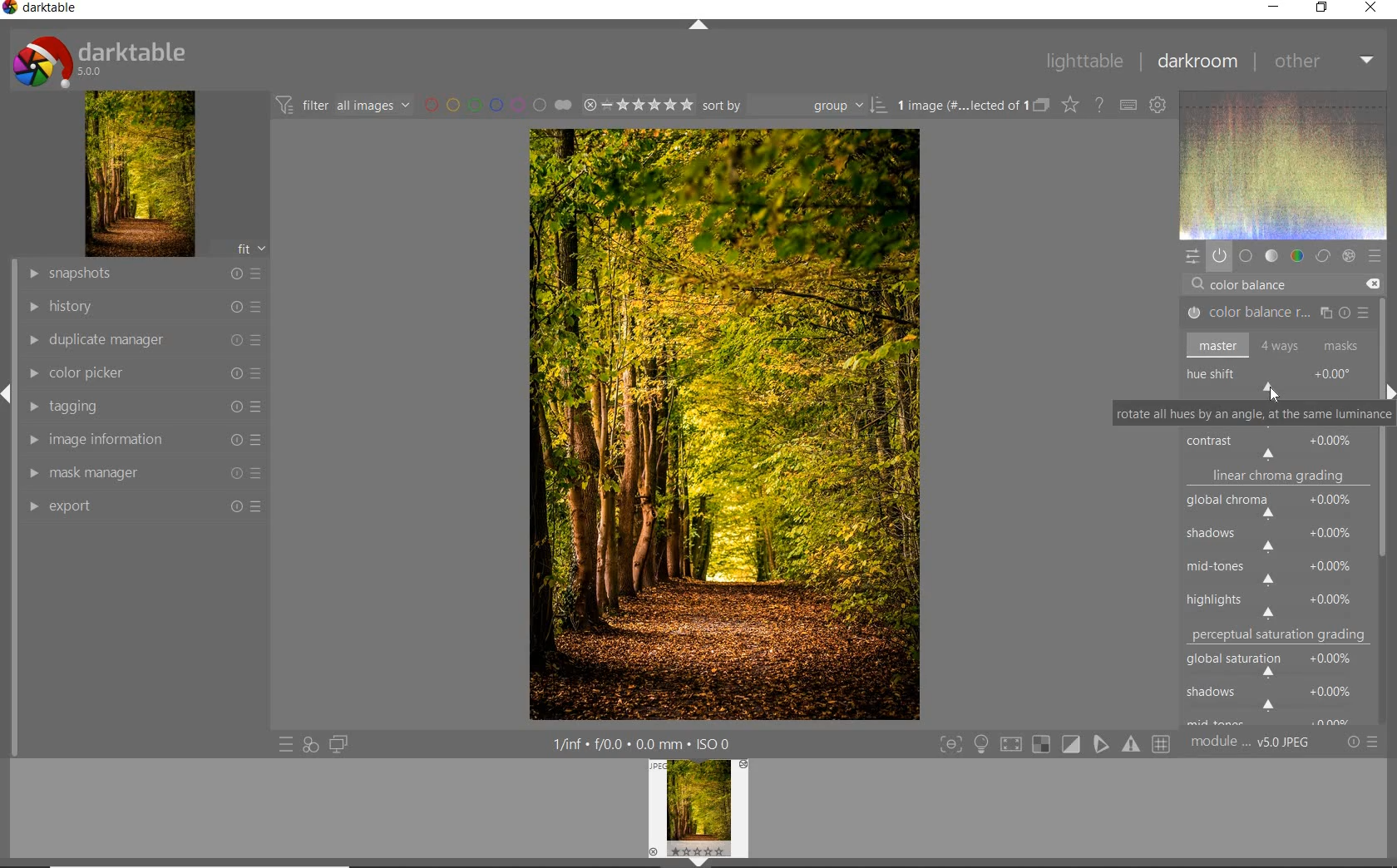  I want to click on lighttable, so click(1084, 62).